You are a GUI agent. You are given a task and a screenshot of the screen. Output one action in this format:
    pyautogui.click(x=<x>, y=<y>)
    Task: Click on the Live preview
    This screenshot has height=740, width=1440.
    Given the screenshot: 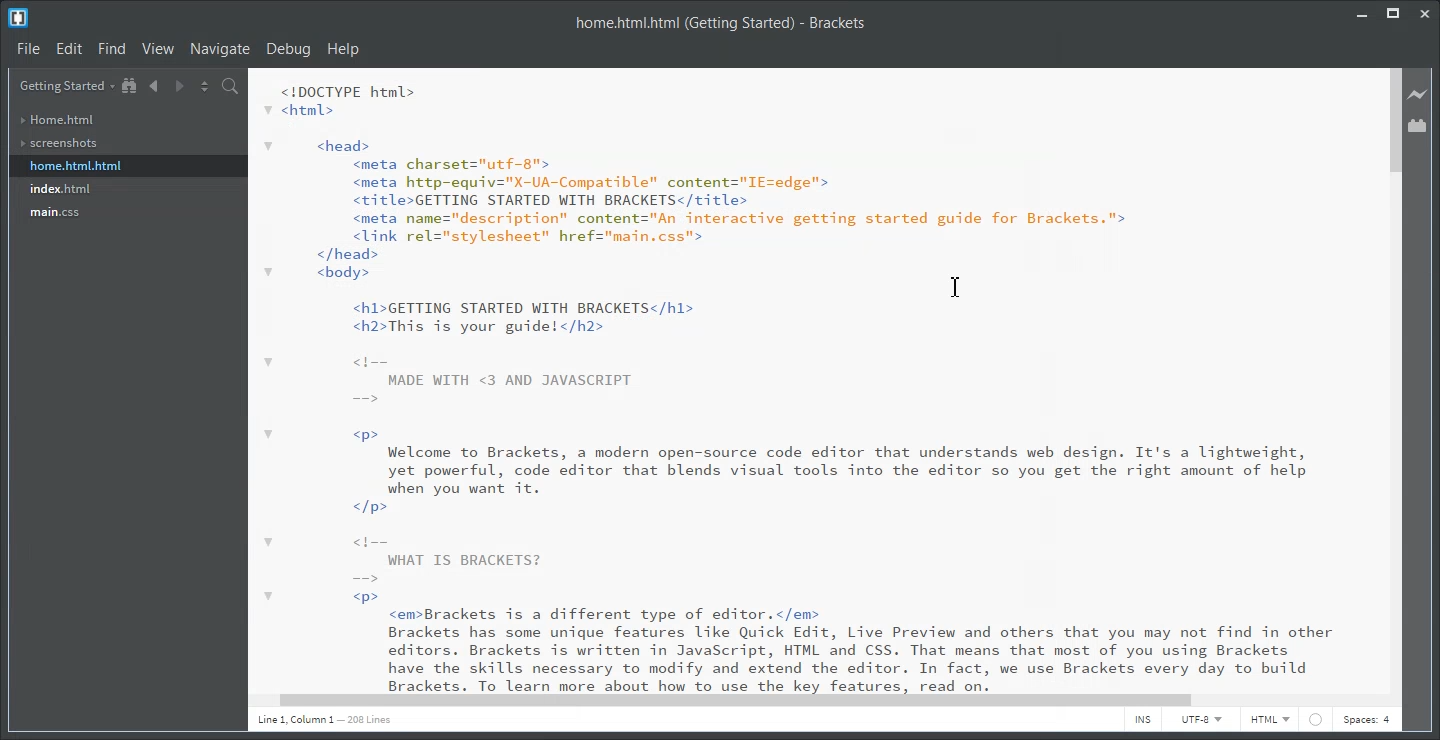 What is the action you would take?
    pyautogui.click(x=1419, y=94)
    